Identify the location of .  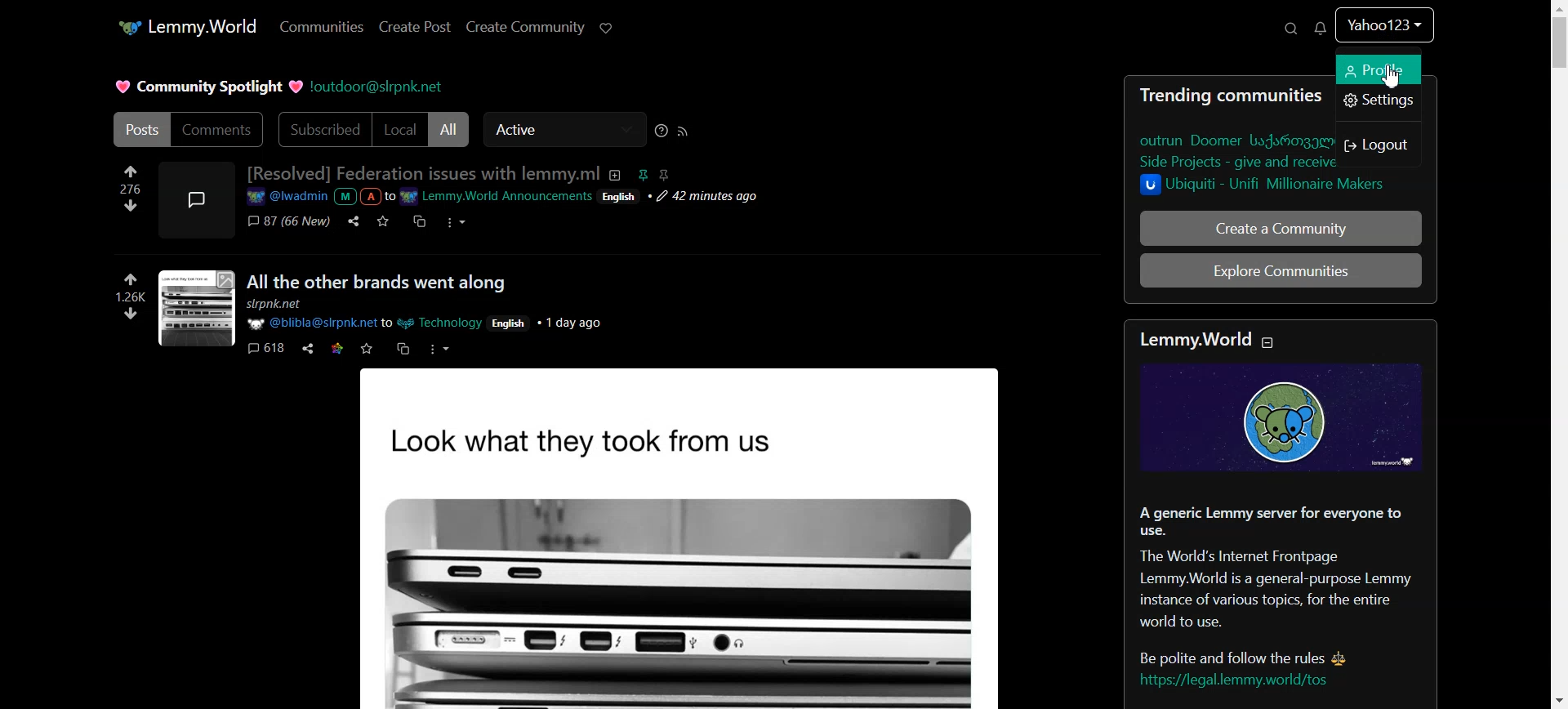
(198, 308).